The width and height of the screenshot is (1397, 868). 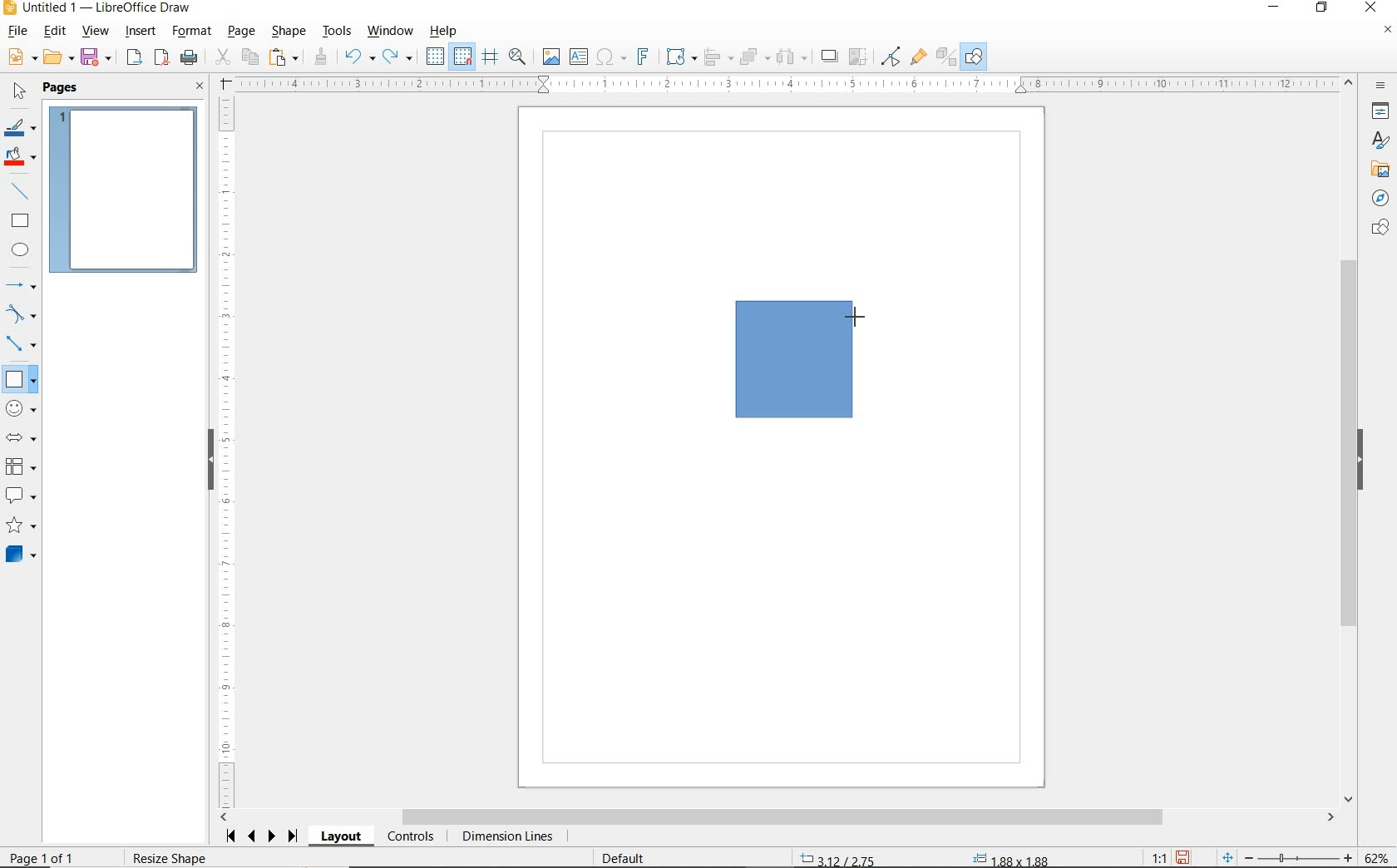 What do you see at coordinates (578, 57) in the screenshot?
I see `INSERT TEXT BOX` at bounding box center [578, 57].